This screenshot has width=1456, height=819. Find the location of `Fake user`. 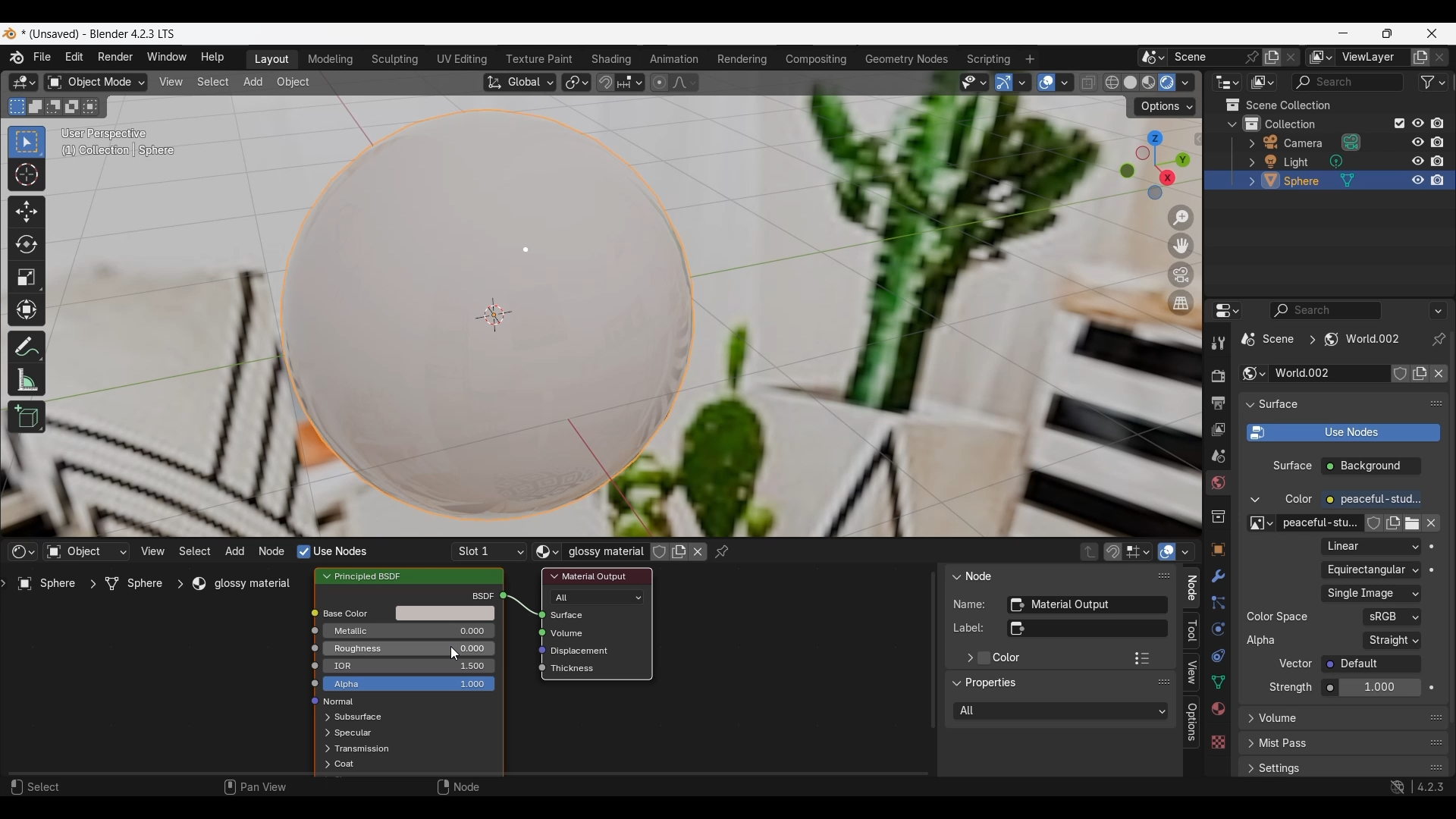

Fake user is located at coordinates (1400, 373).